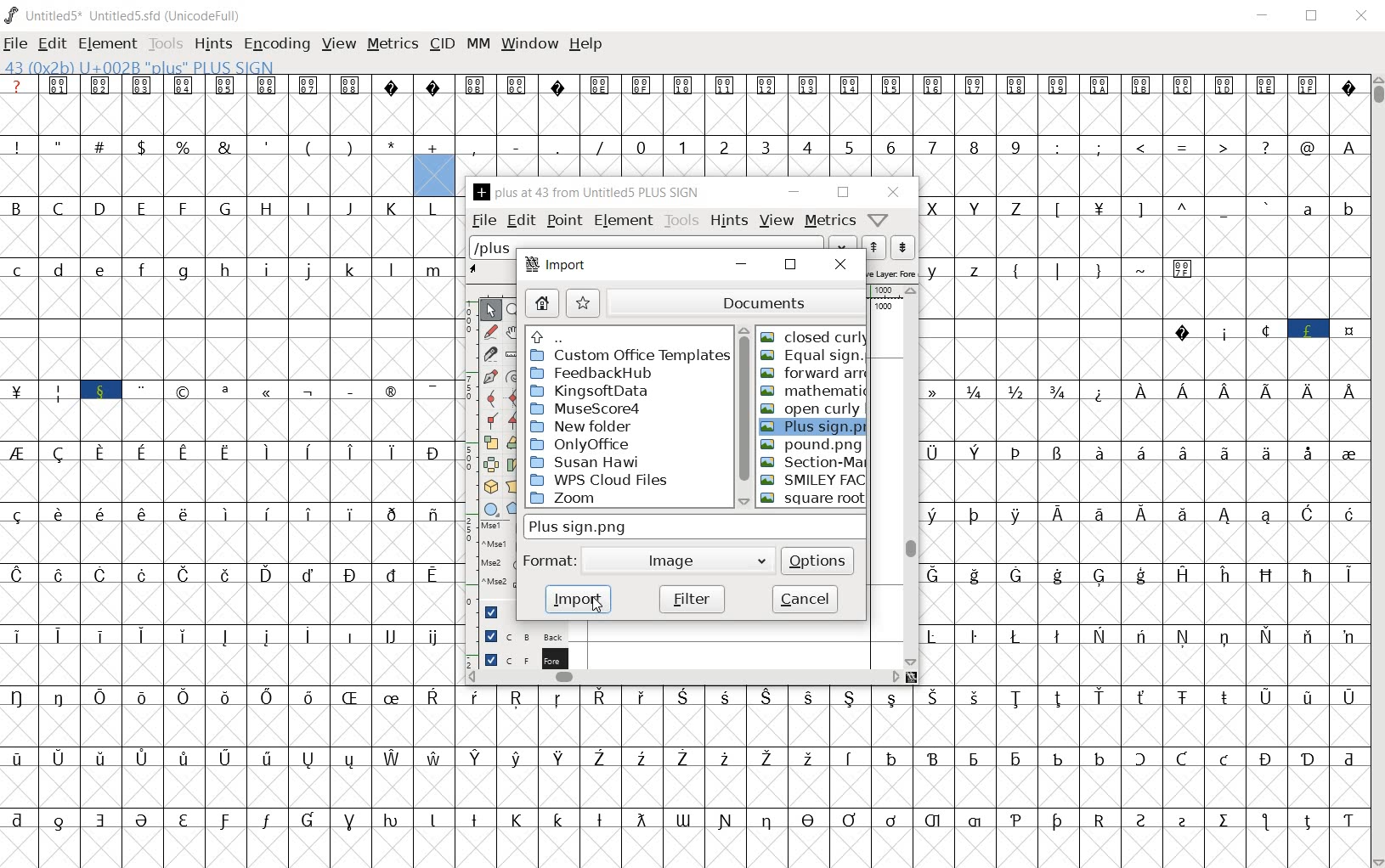 This screenshot has height=868, width=1385. Describe the element at coordinates (415, 779) in the screenshot. I see `accented letters` at that location.